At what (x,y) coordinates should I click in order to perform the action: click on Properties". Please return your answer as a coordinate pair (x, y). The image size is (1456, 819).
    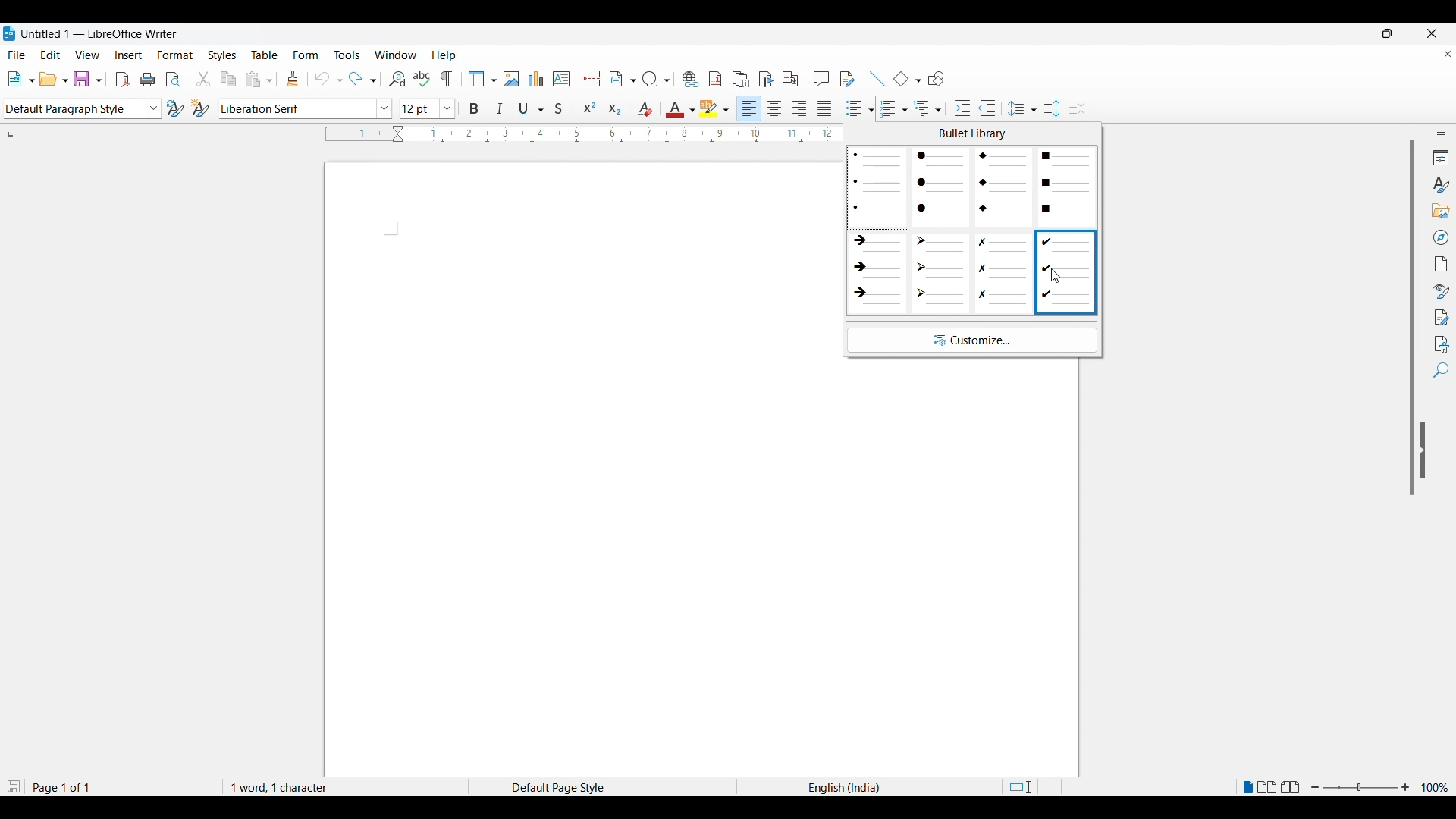
    Looking at the image, I should click on (1439, 157).